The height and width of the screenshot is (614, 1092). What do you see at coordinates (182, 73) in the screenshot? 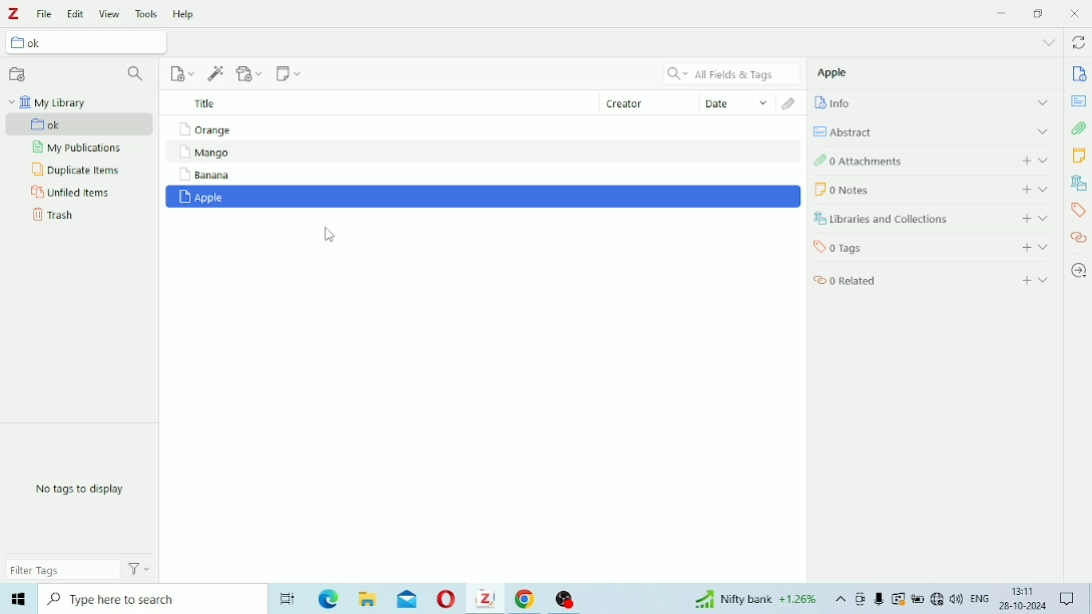
I see `New item` at bounding box center [182, 73].